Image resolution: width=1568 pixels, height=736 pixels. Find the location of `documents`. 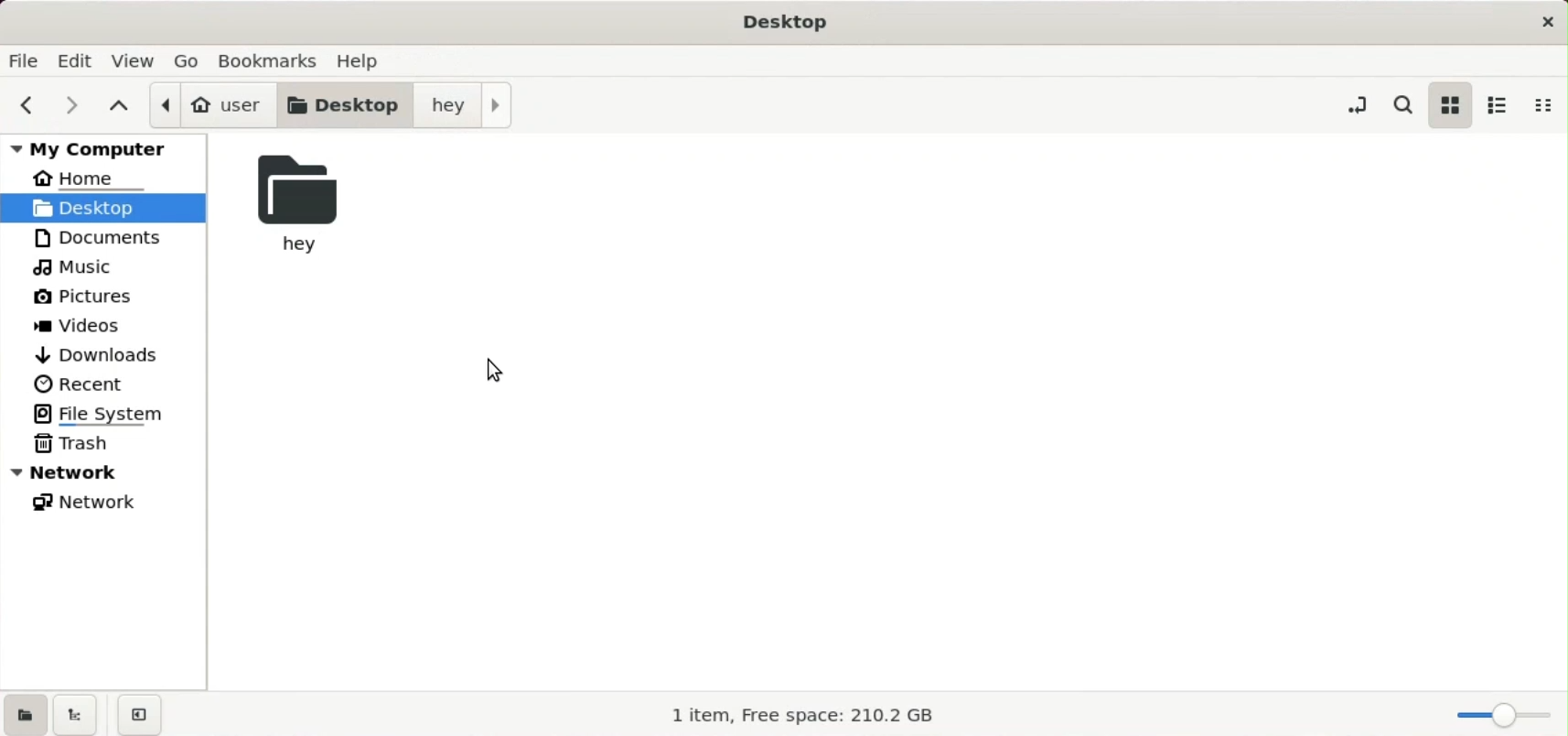

documents is located at coordinates (100, 239).